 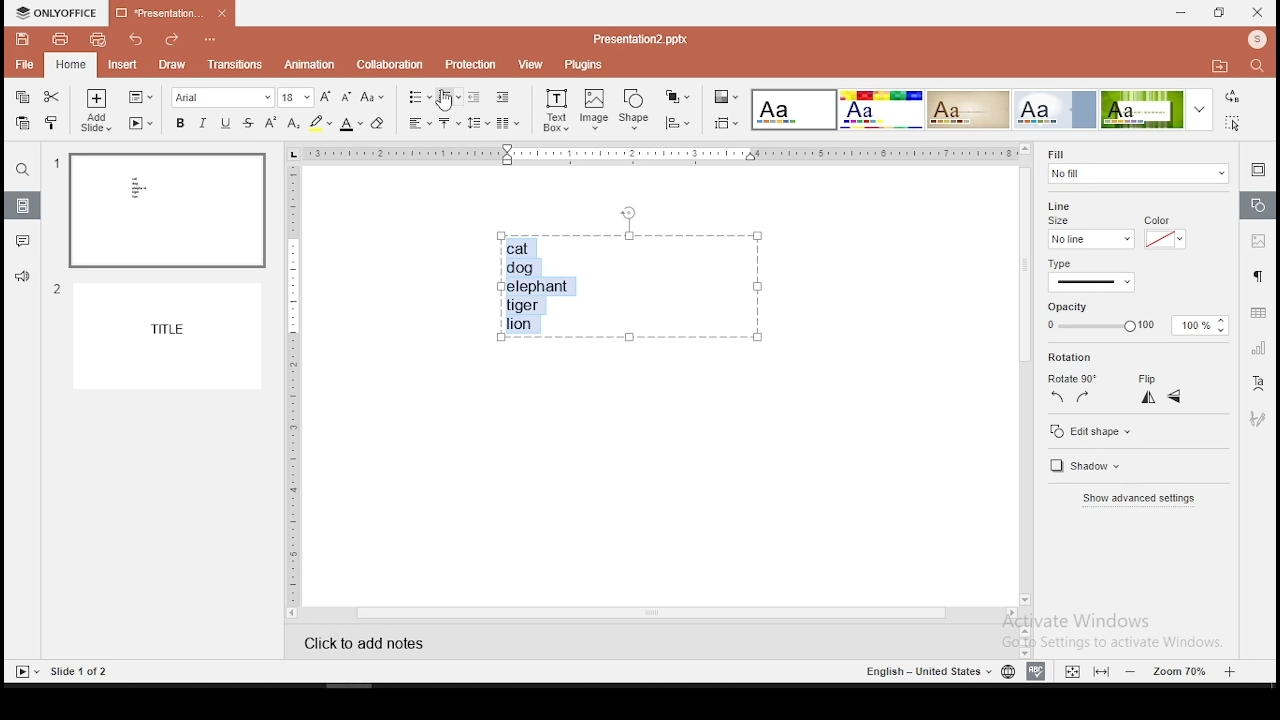 I want to click on open file location, so click(x=1217, y=66).